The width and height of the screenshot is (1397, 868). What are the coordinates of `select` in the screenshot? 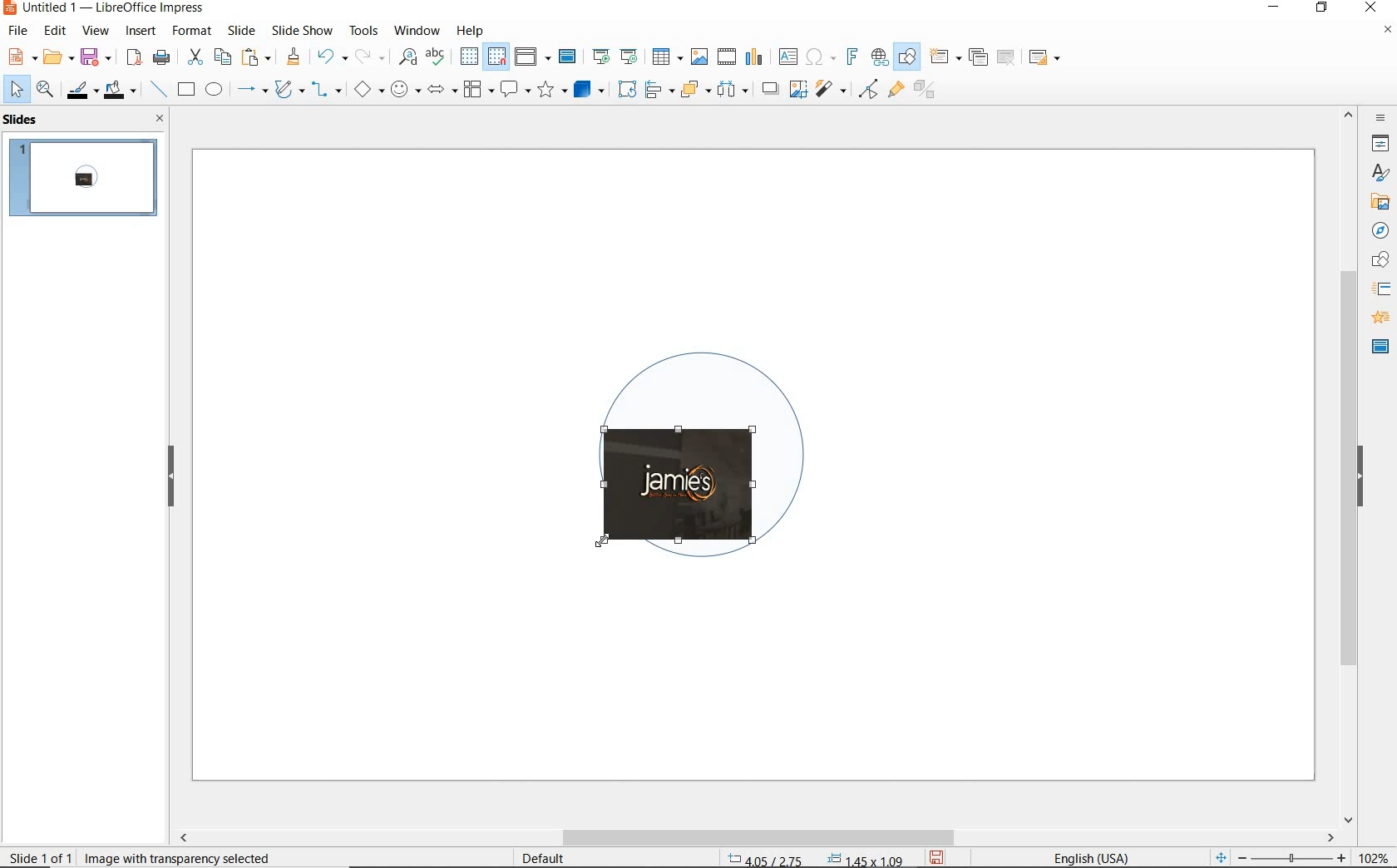 It's located at (17, 90).